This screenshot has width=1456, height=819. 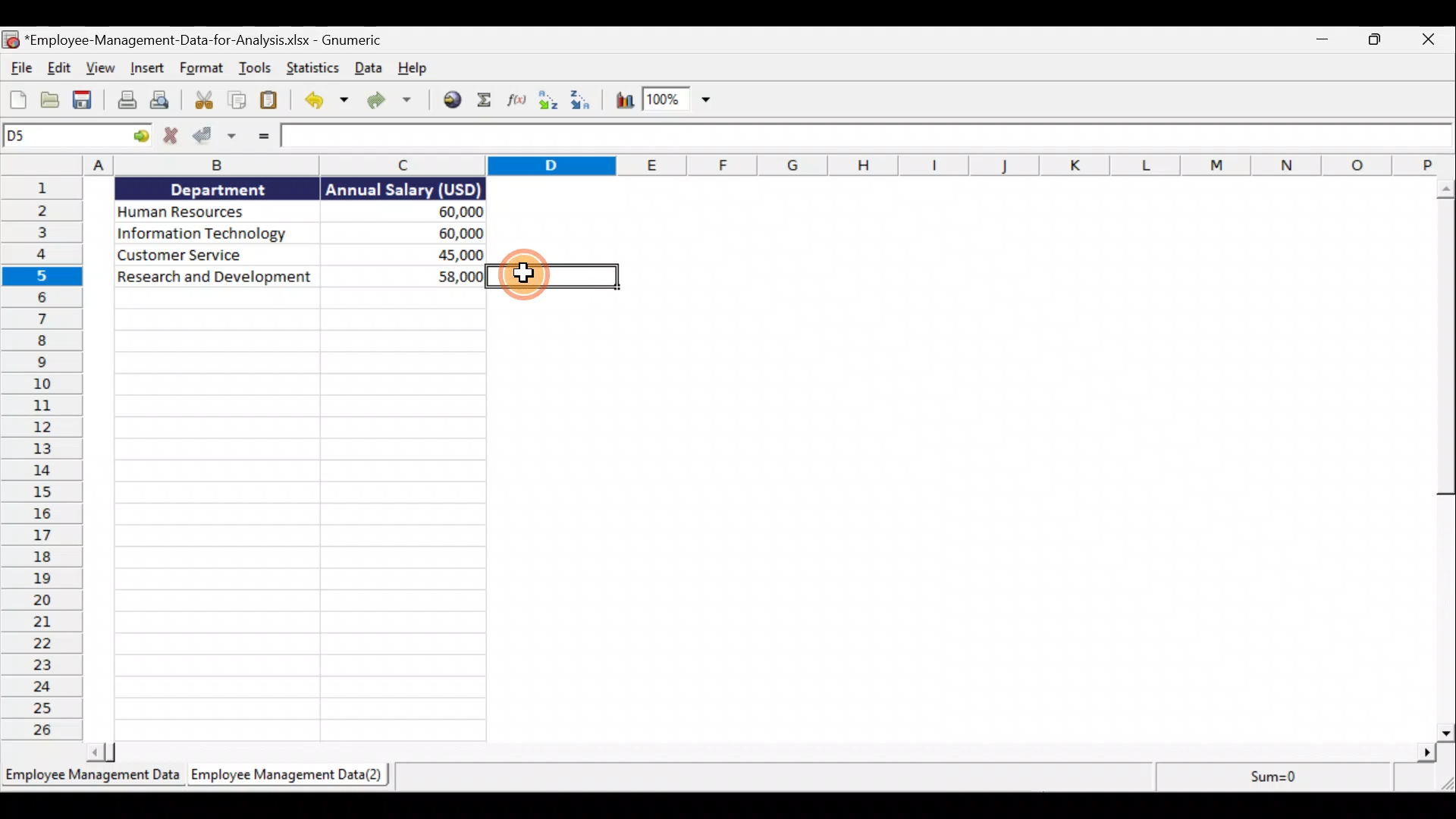 I want to click on Cell allocation, so click(x=75, y=136).